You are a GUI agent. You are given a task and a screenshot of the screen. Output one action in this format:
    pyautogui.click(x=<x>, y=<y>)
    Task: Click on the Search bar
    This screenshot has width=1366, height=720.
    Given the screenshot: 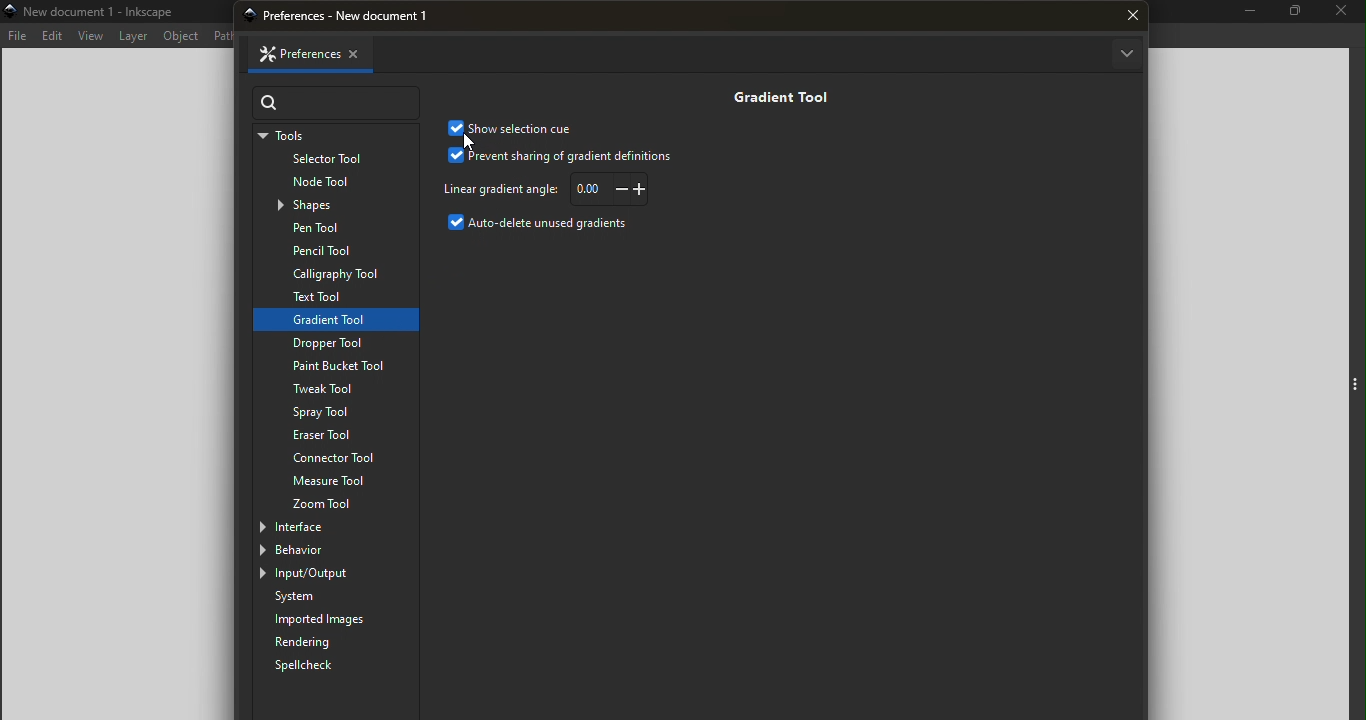 What is the action you would take?
    pyautogui.click(x=338, y=103)
    